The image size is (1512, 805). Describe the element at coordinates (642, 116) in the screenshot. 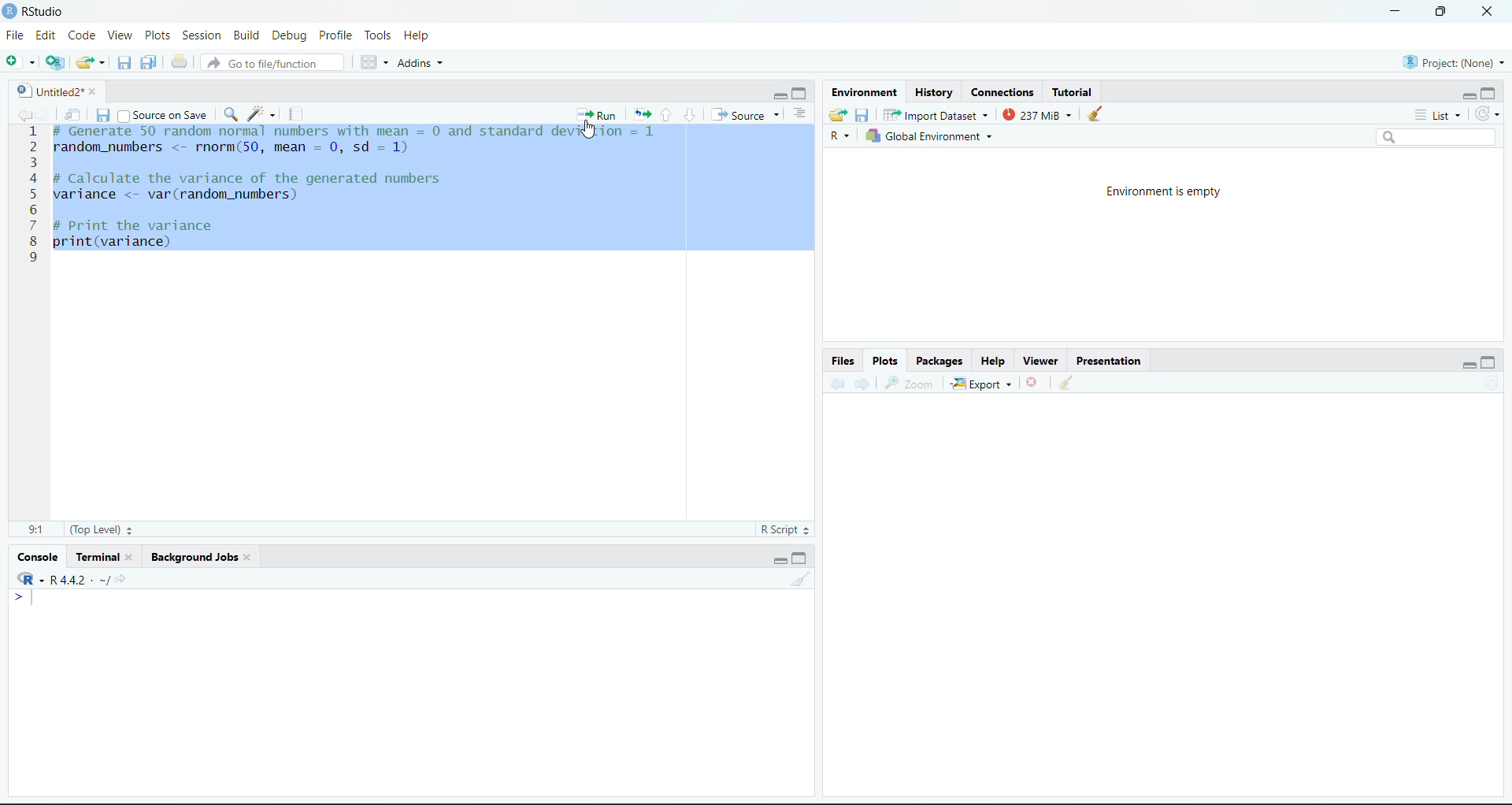

I see `rerun` at that location.